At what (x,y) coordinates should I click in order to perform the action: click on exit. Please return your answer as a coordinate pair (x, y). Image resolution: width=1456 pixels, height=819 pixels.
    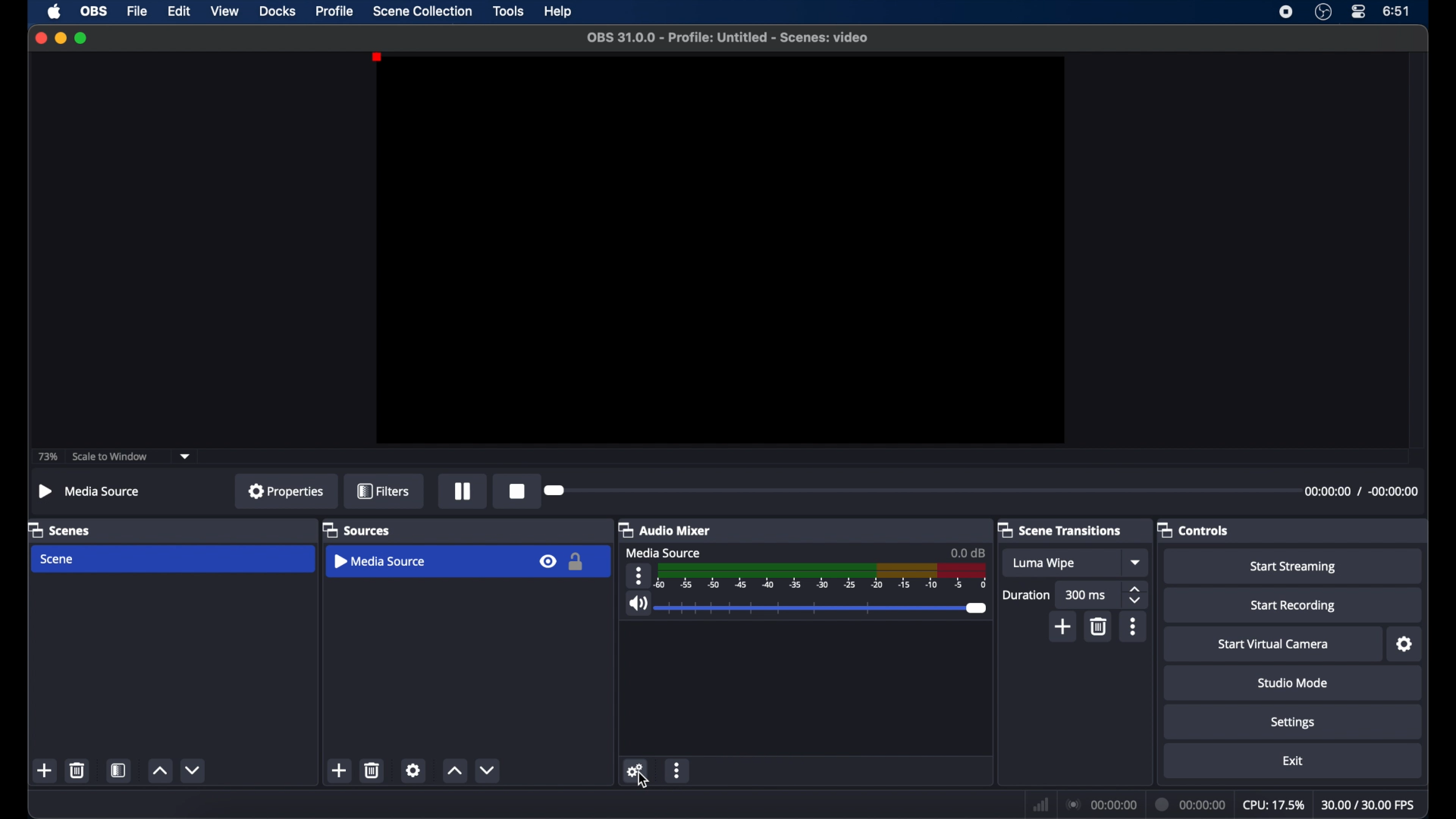
    Looking at the image, I should click on (1293, 761).